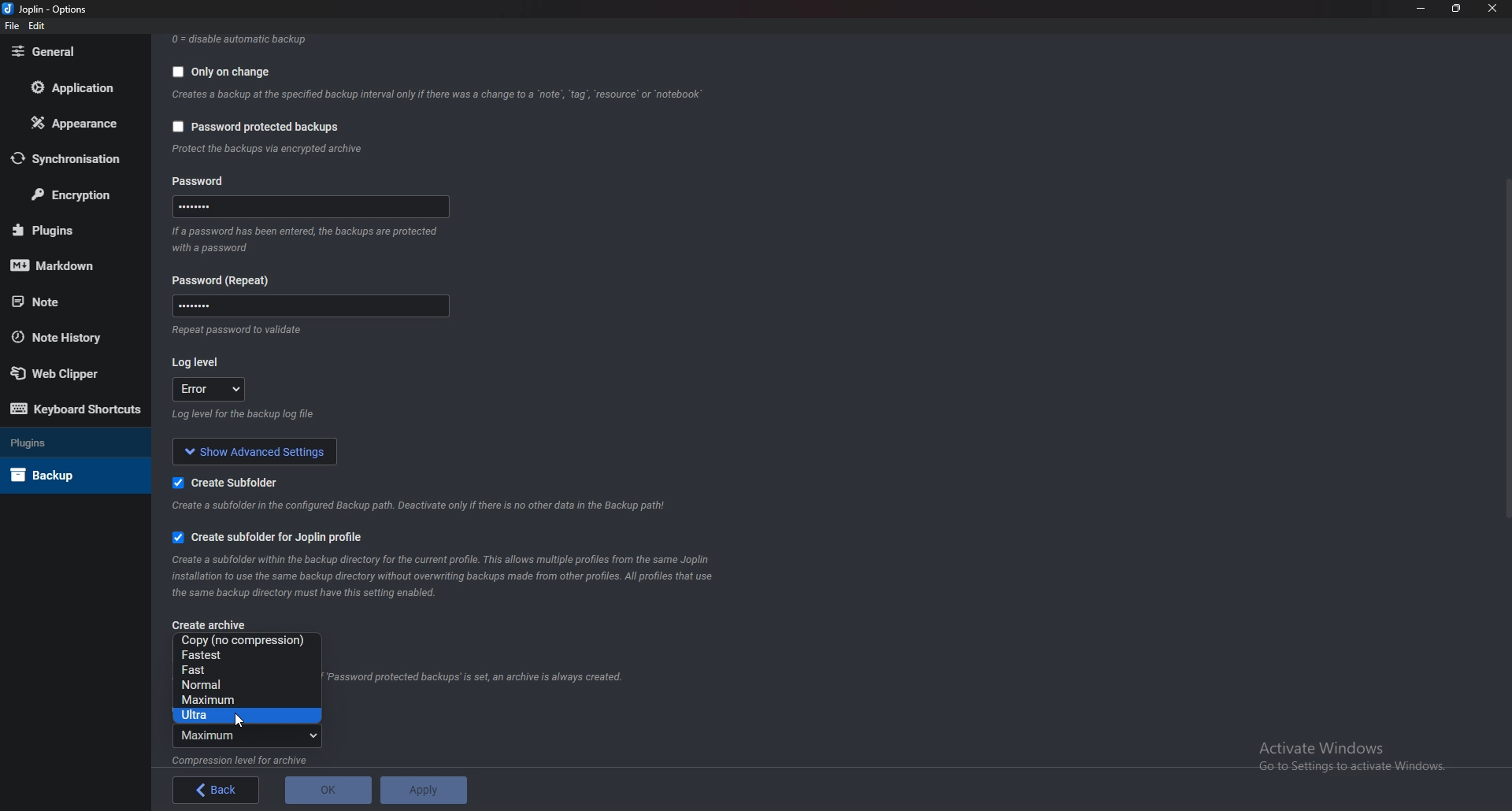 This screenshot has height=811, width=1512. Describe the element at coordinates (454, 575) in the screenshot. I see `info on subfolder for joplin profile` at that location.